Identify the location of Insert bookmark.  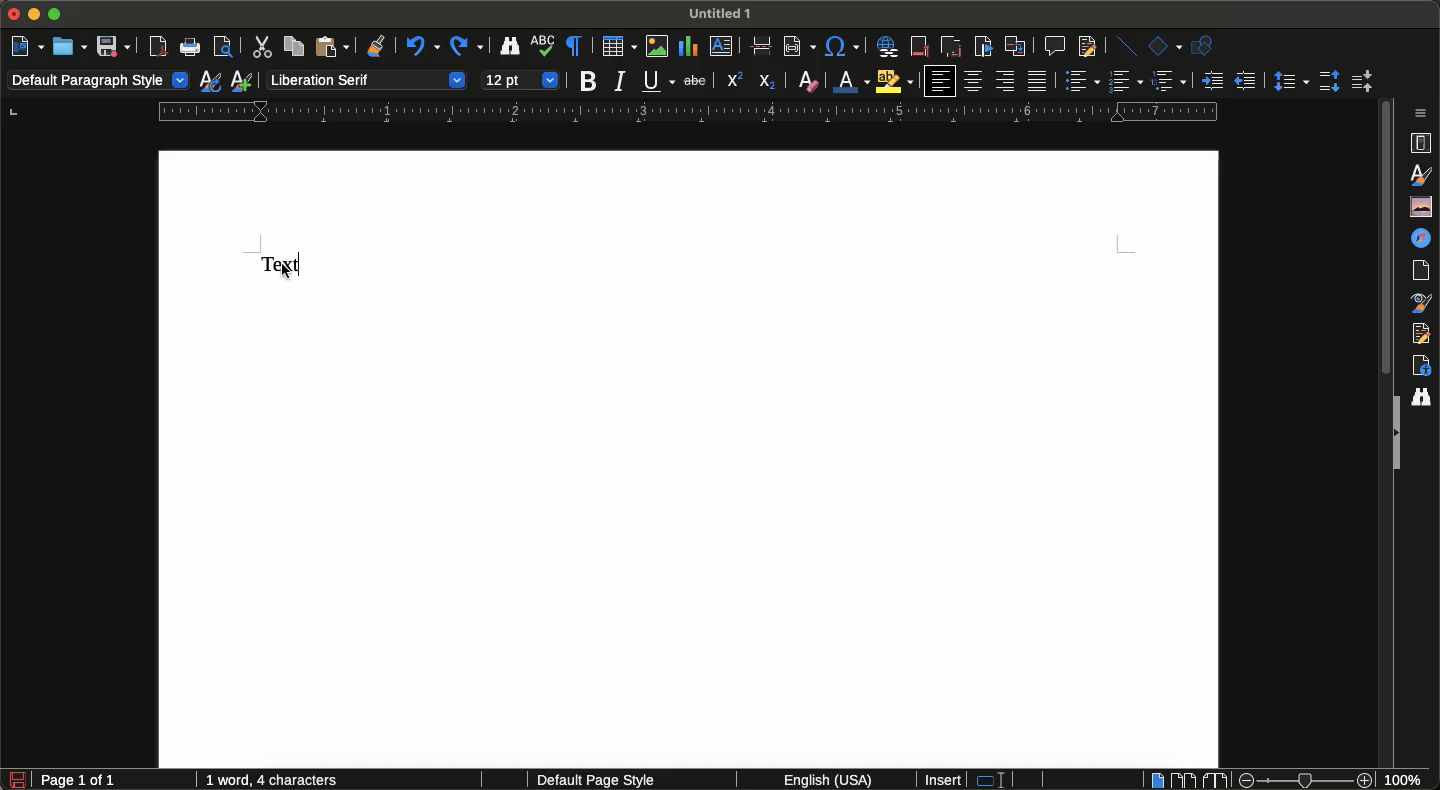
(983, 47).